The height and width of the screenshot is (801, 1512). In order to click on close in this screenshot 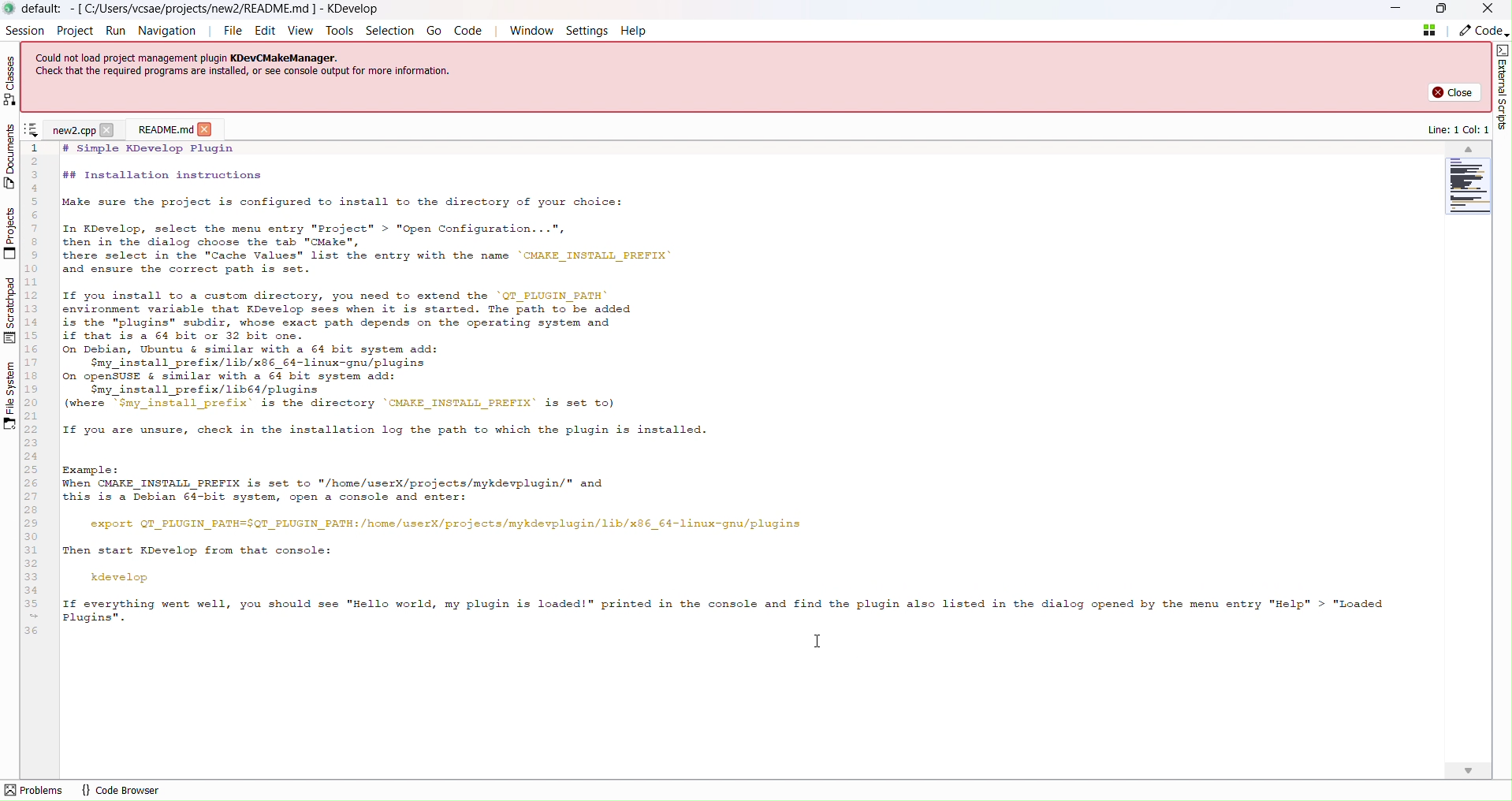, I will do `click(107, 130)`.